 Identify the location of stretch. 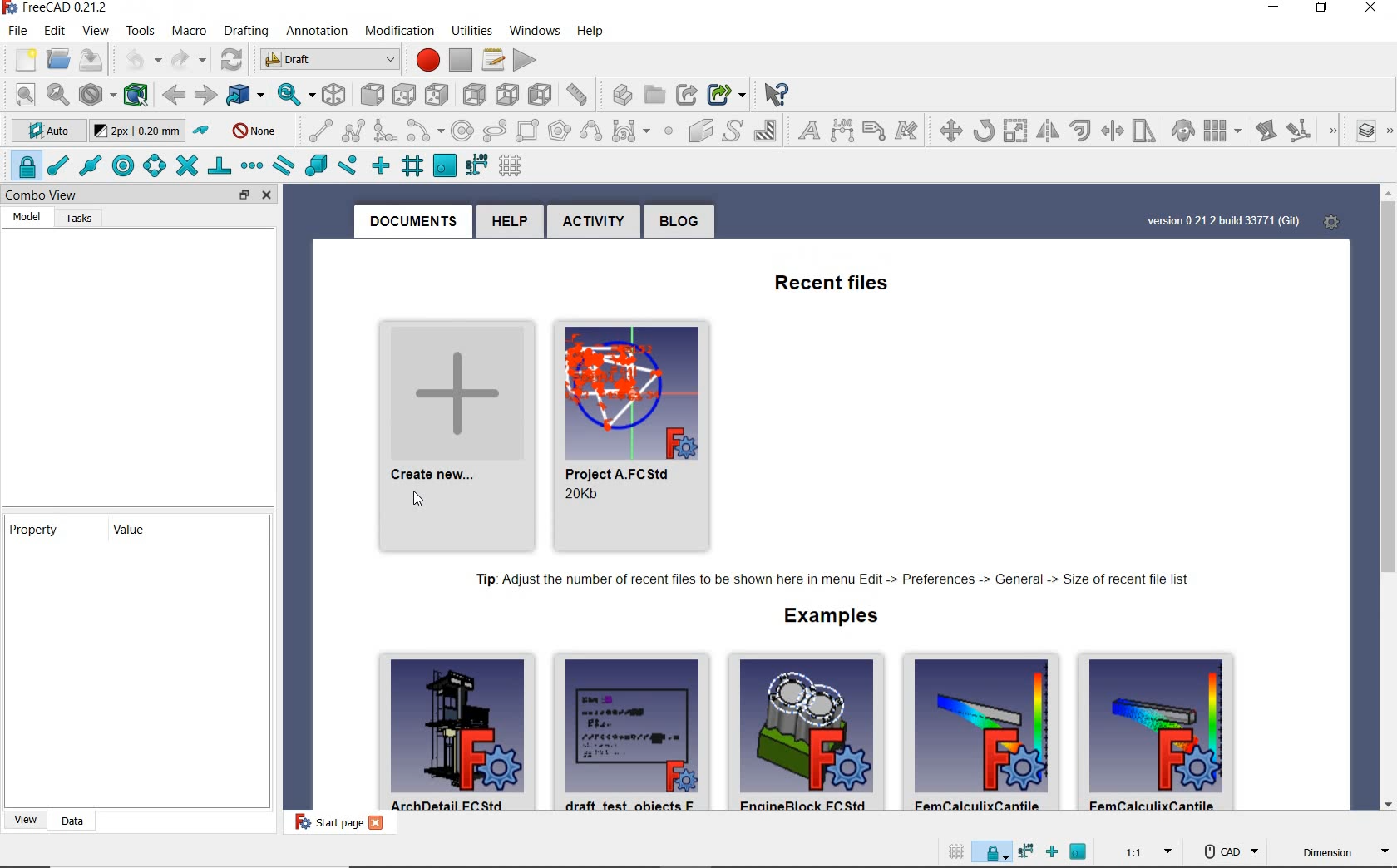
(1144, 131).